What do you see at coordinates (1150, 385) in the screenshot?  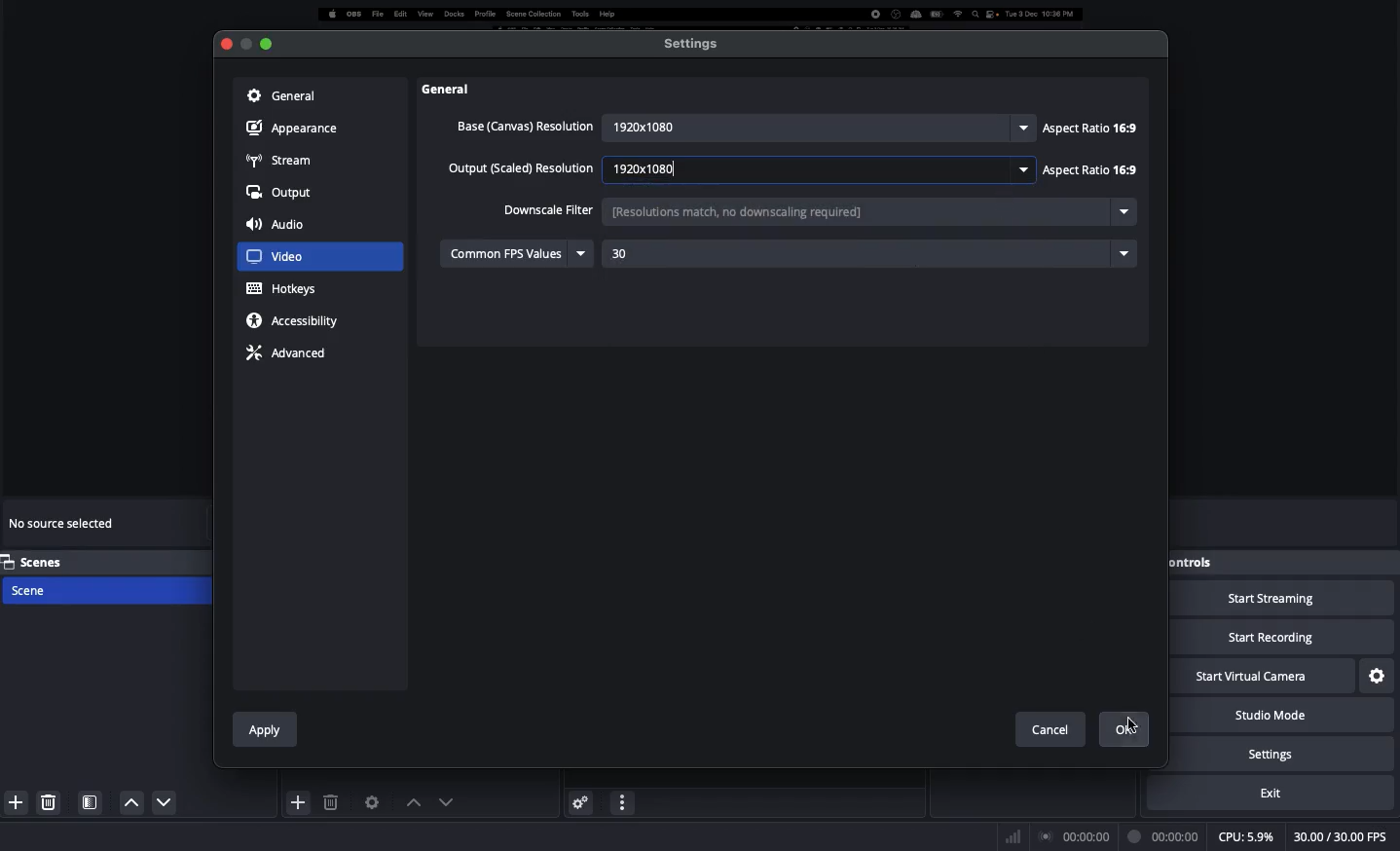 I see `Scroll` at bounding box center [1150, 385].